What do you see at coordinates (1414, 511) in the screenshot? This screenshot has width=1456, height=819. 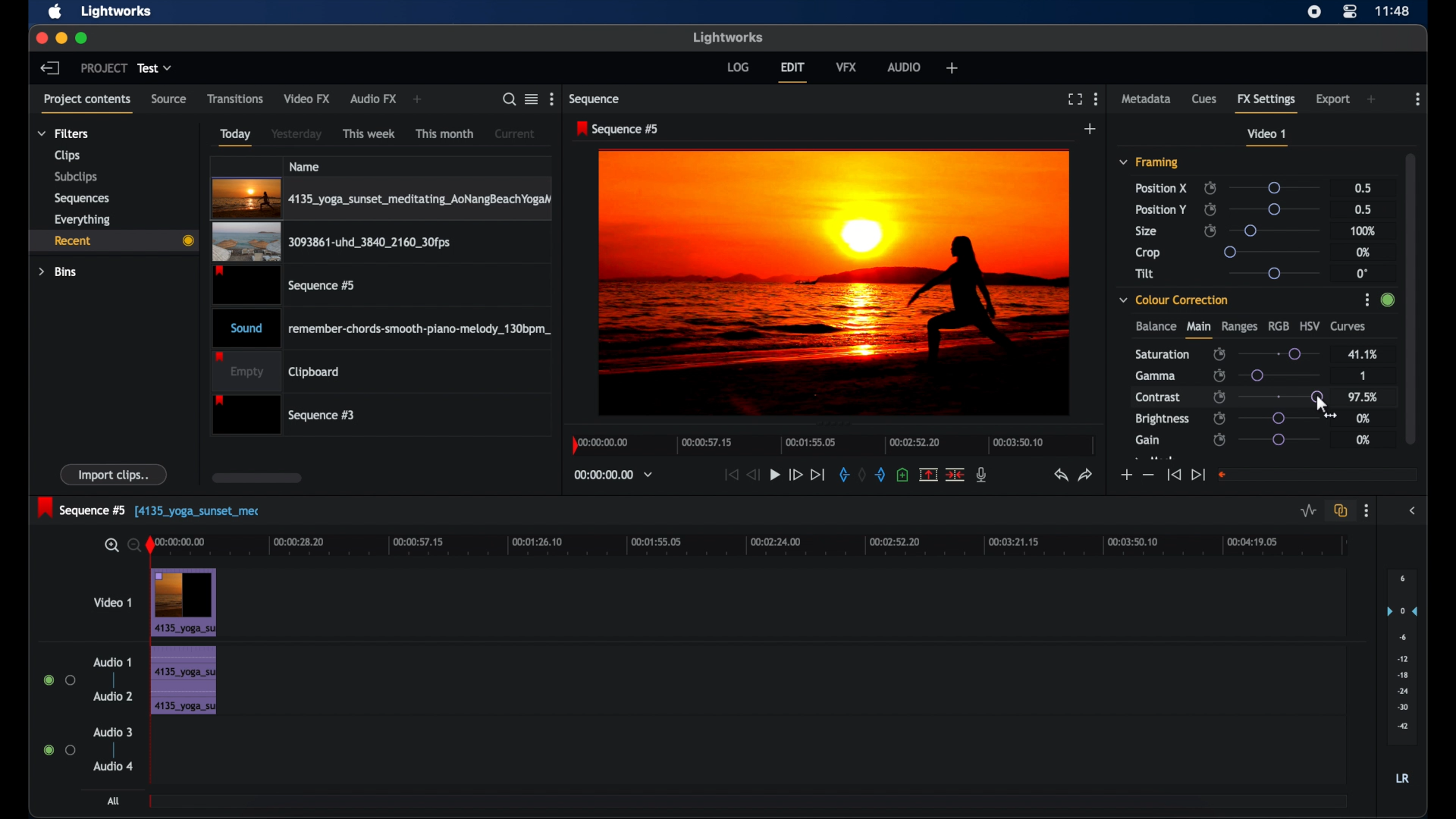 I see `sidebar` at bounding box center [1414, 511].